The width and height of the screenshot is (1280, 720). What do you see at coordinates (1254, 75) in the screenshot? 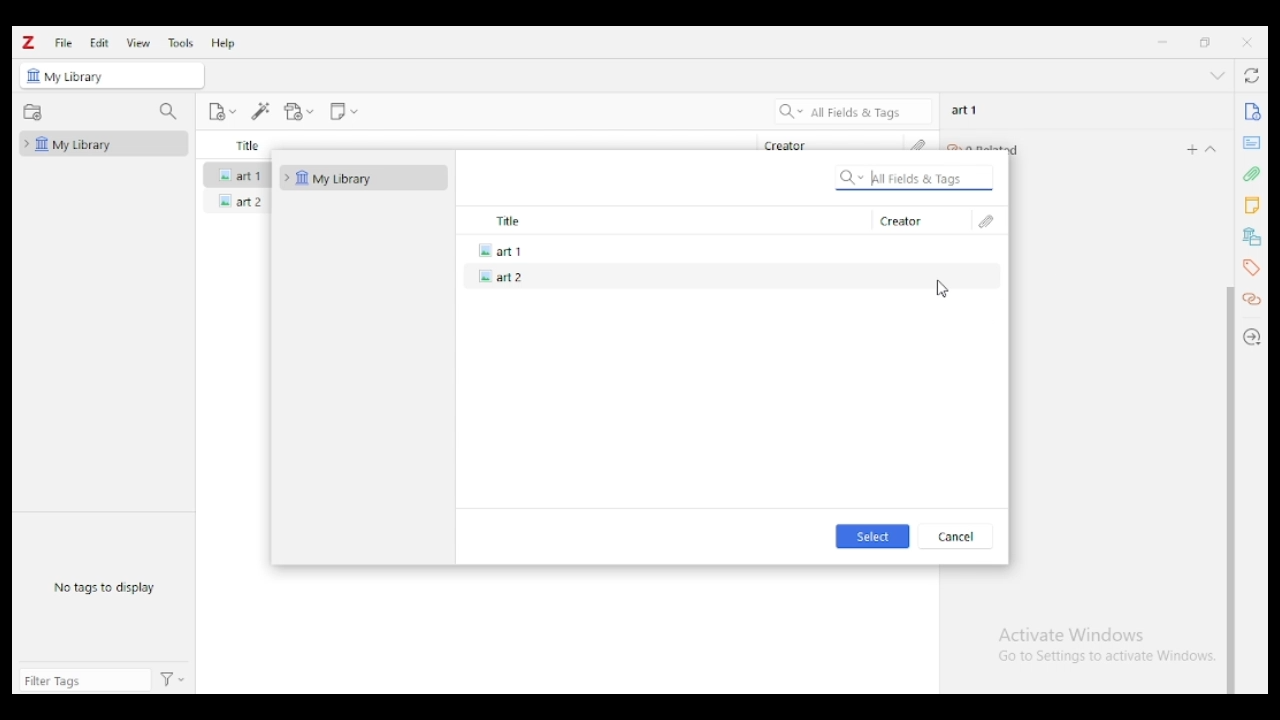
I see `sync with zotero.org` at bounding box center [1254, 75].